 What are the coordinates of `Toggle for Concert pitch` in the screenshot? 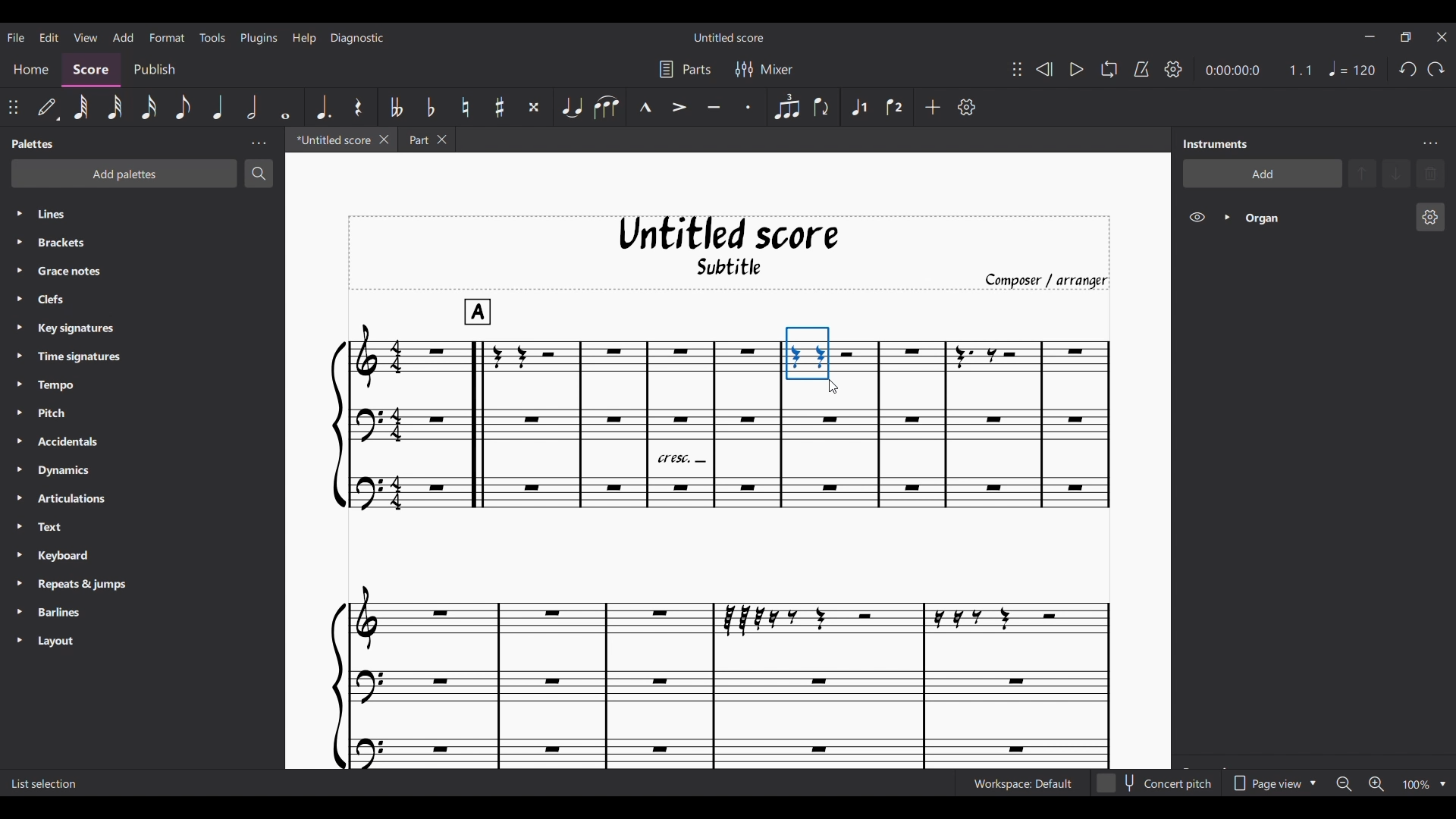 It's located at (1156, 783).